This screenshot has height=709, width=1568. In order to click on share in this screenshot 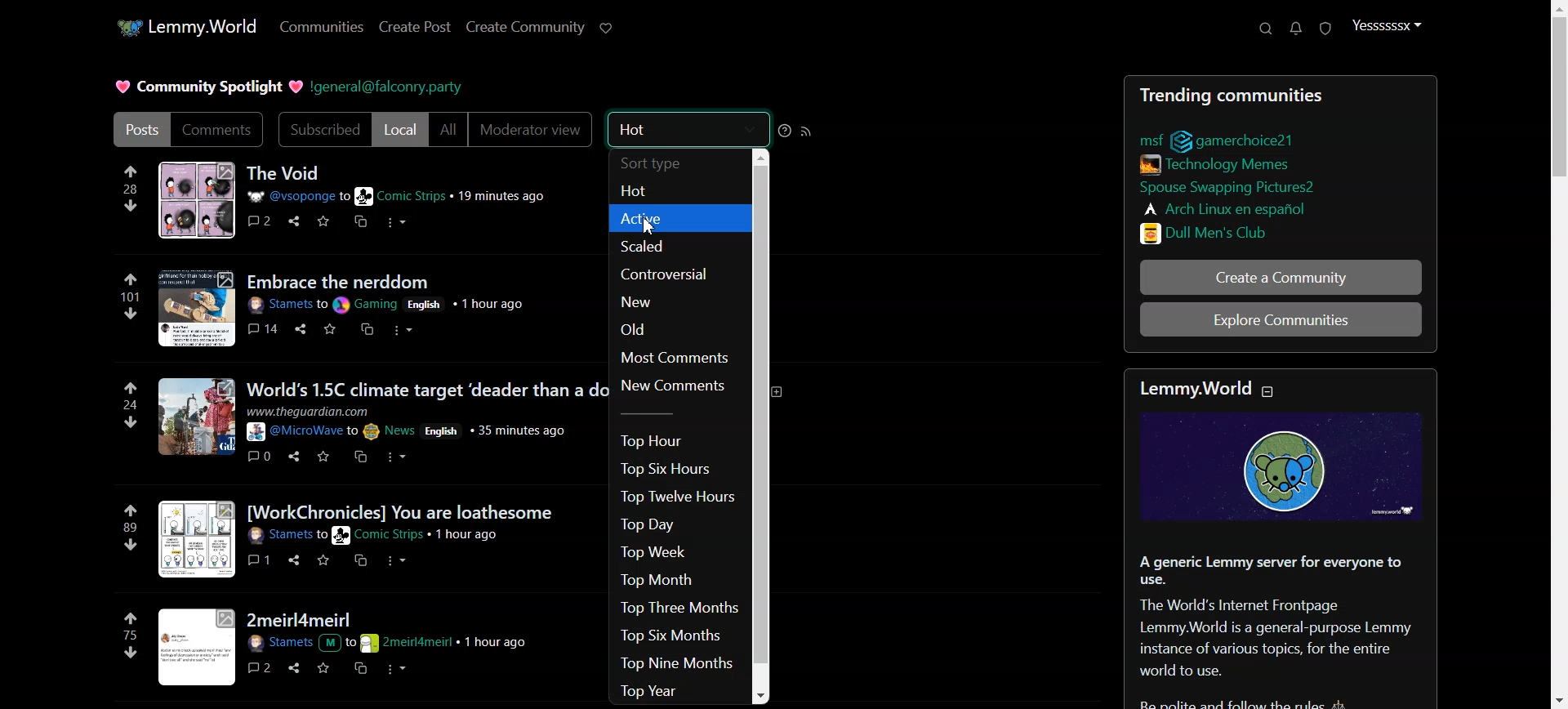, I will do `click(300, 327)`.